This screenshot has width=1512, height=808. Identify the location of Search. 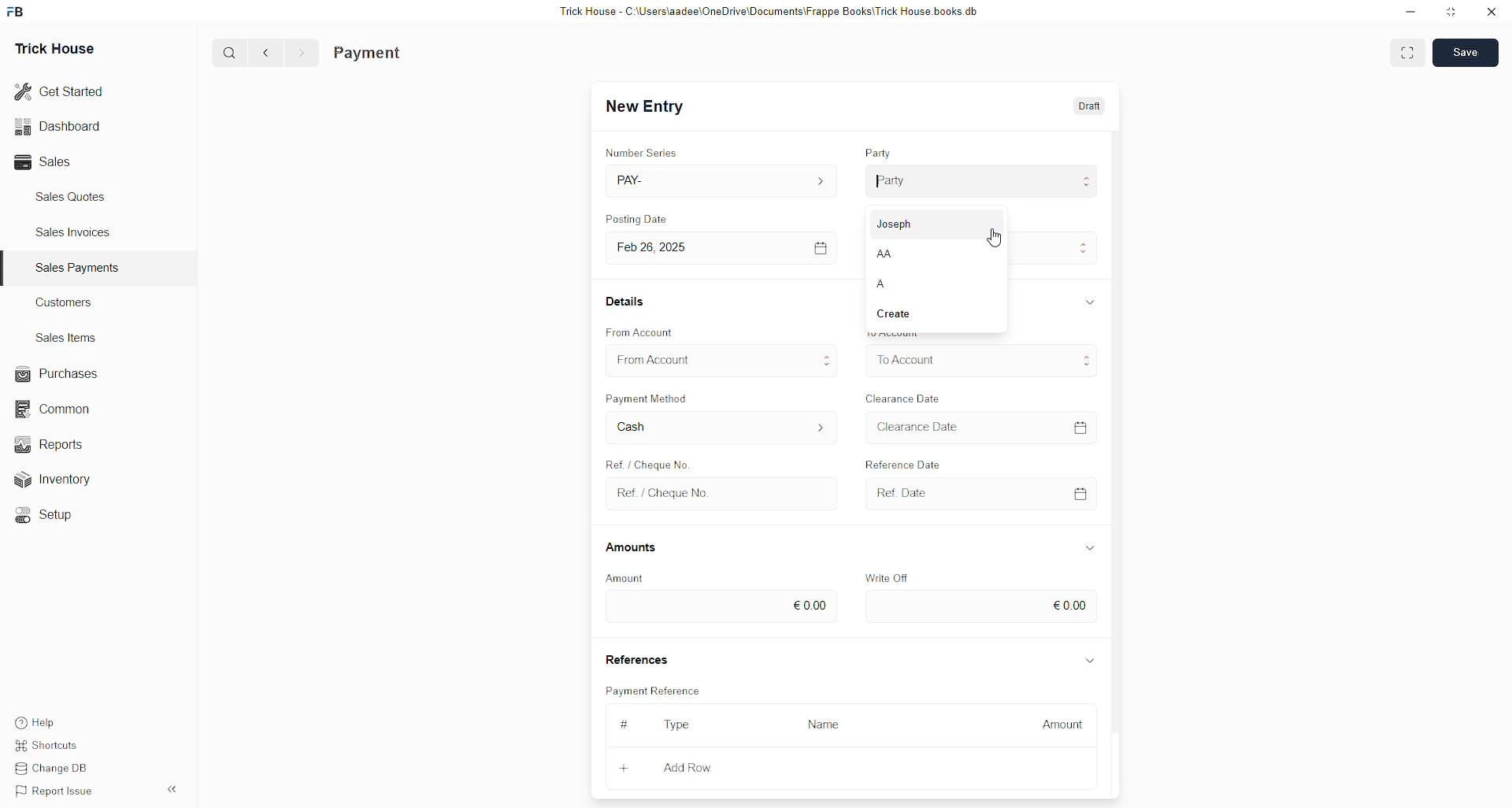
(229, 52).